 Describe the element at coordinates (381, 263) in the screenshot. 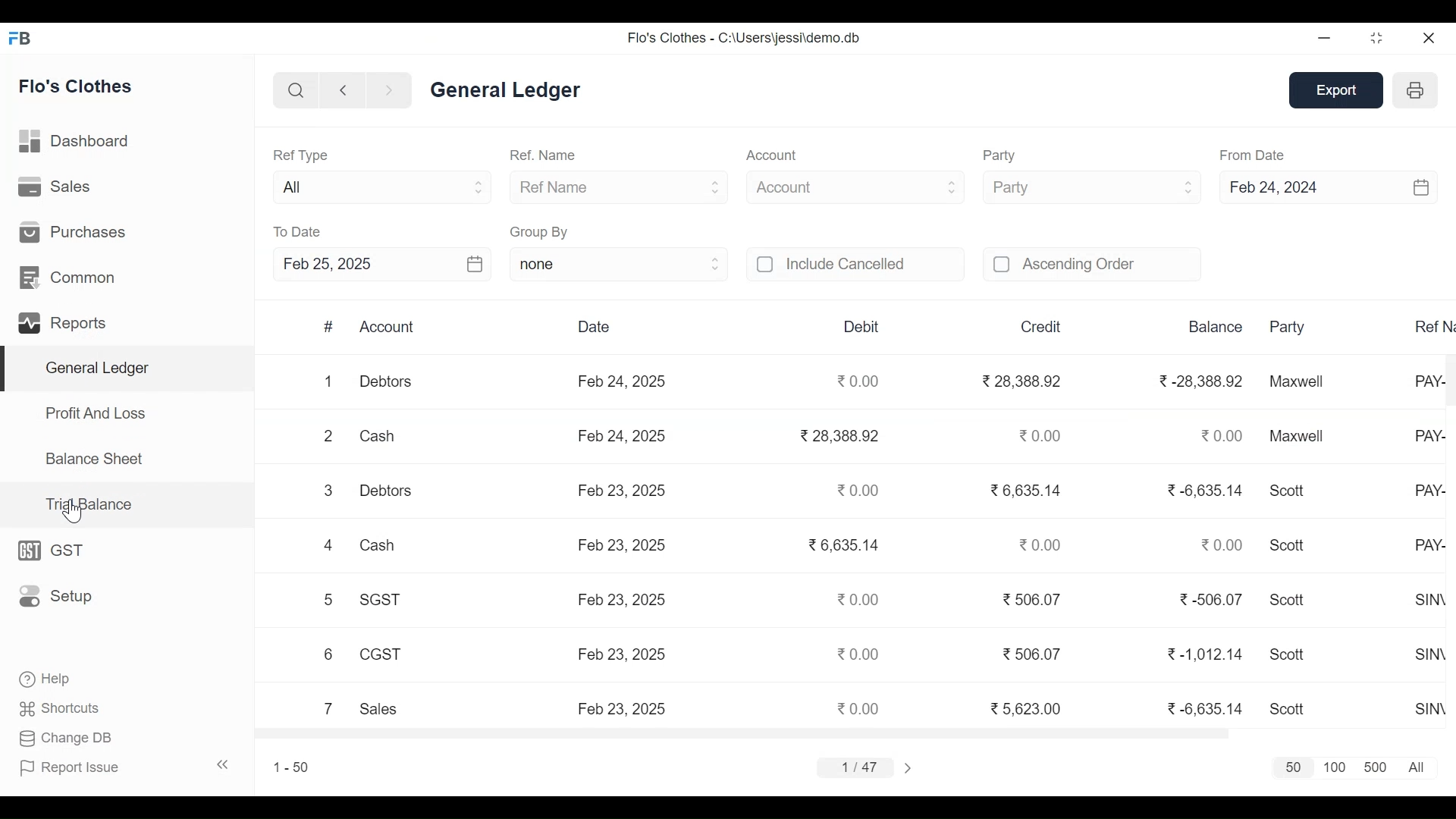

I see `Feb 25, 2025` at that location.